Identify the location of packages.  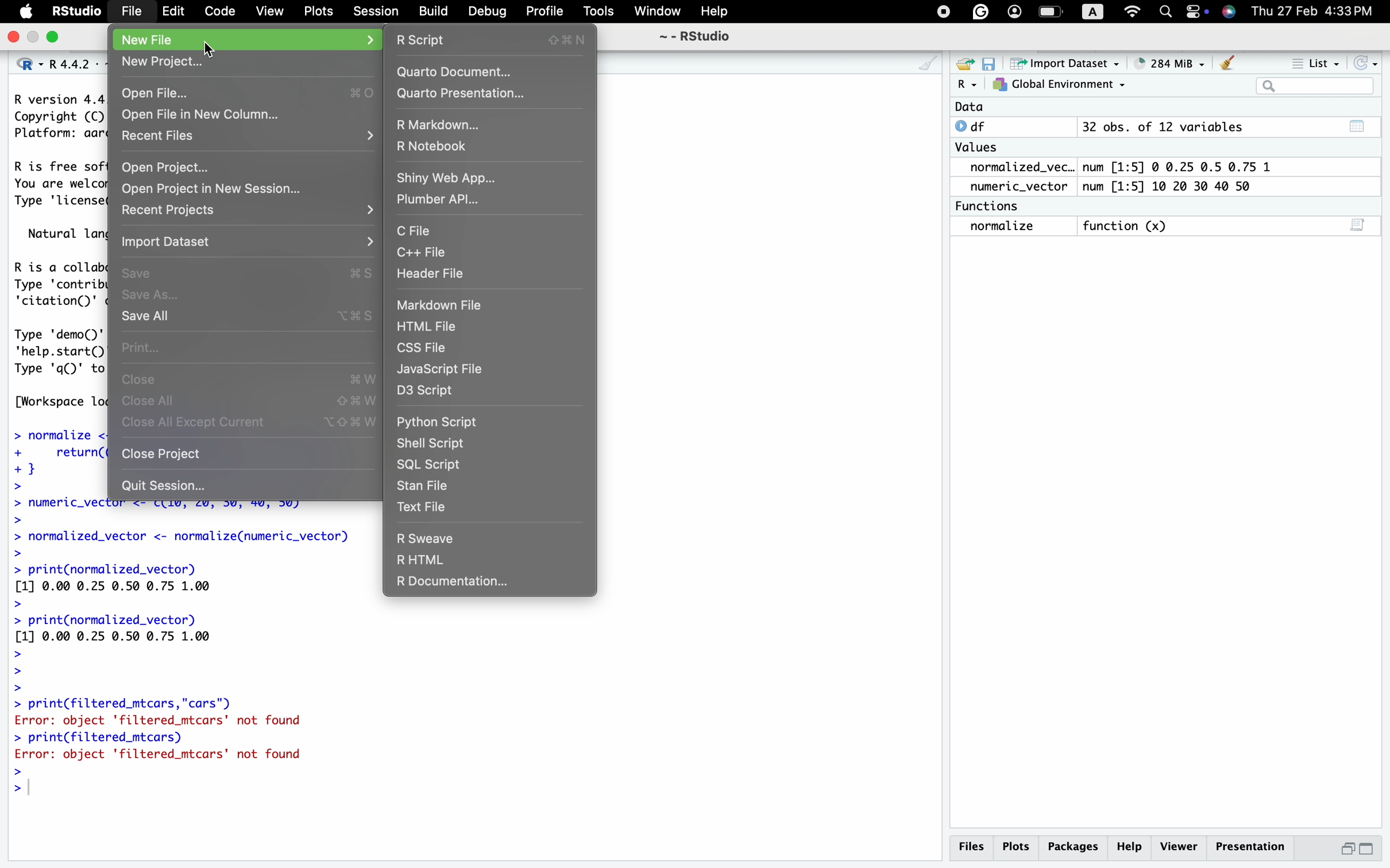
(1076, 844).